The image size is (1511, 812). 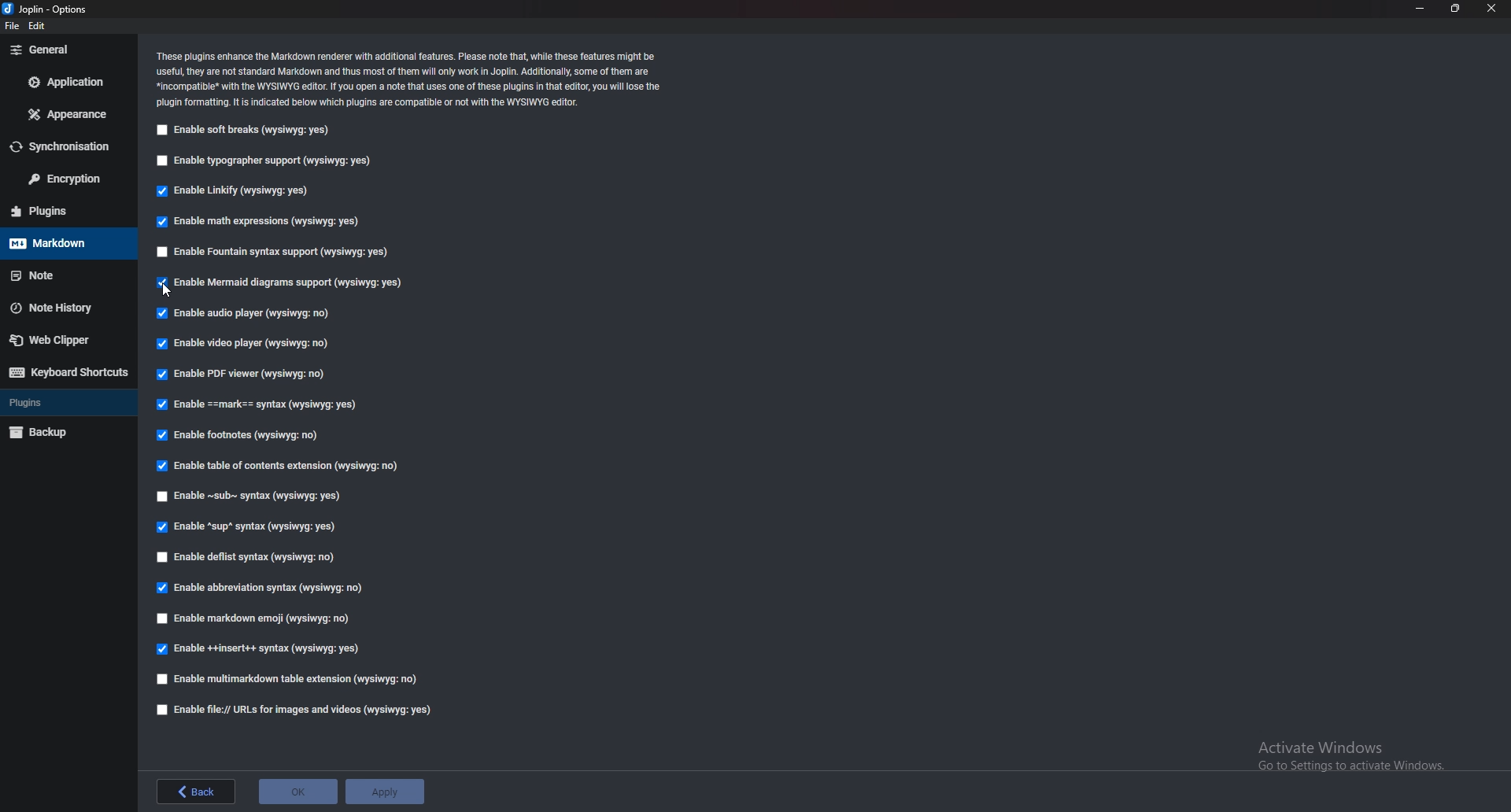 I want to click on Plugins, so click(x=64, y=401).